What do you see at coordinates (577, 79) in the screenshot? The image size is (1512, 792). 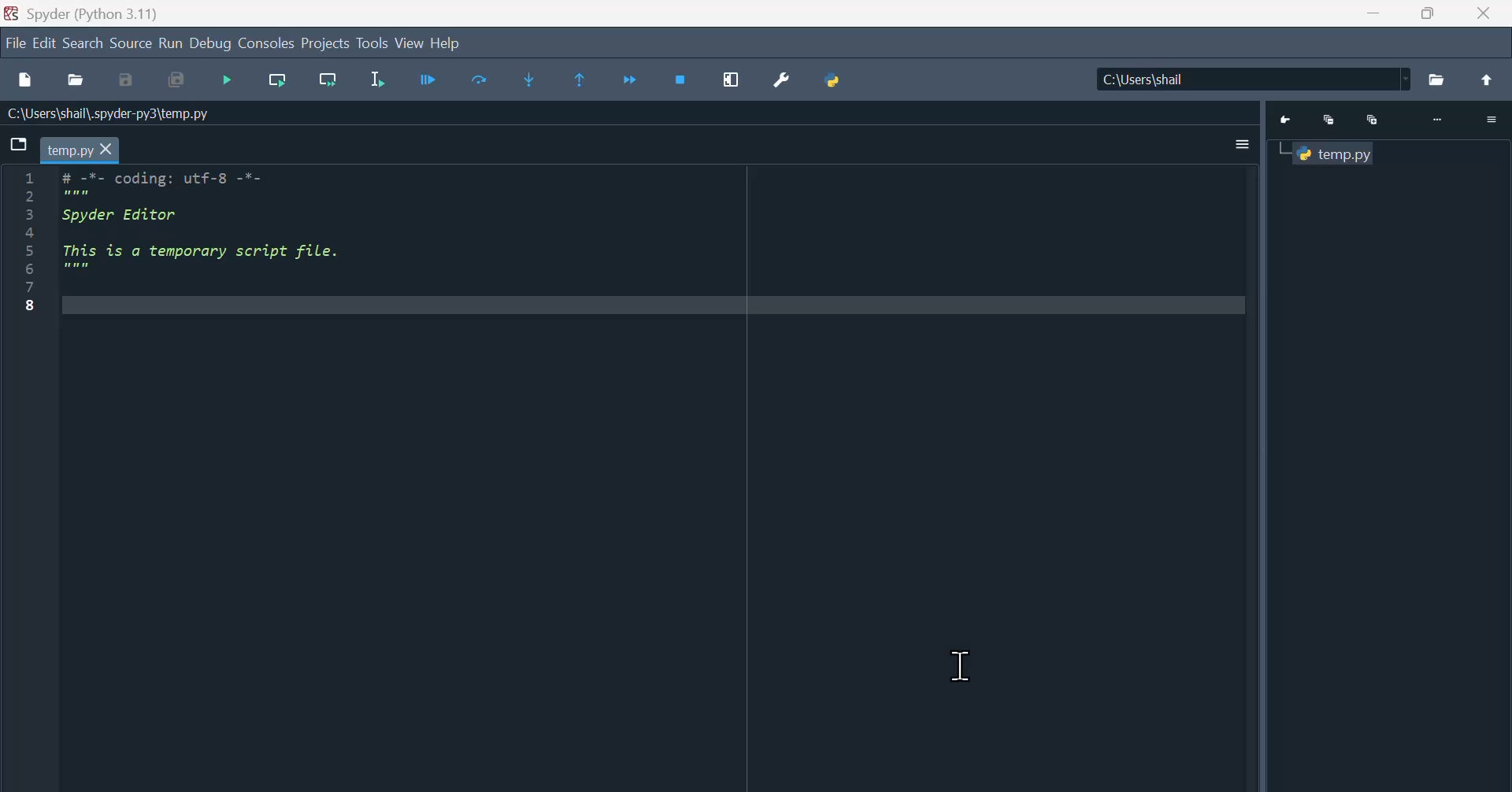 I see `Execute until same function returns` at bounding box center [577, 79].